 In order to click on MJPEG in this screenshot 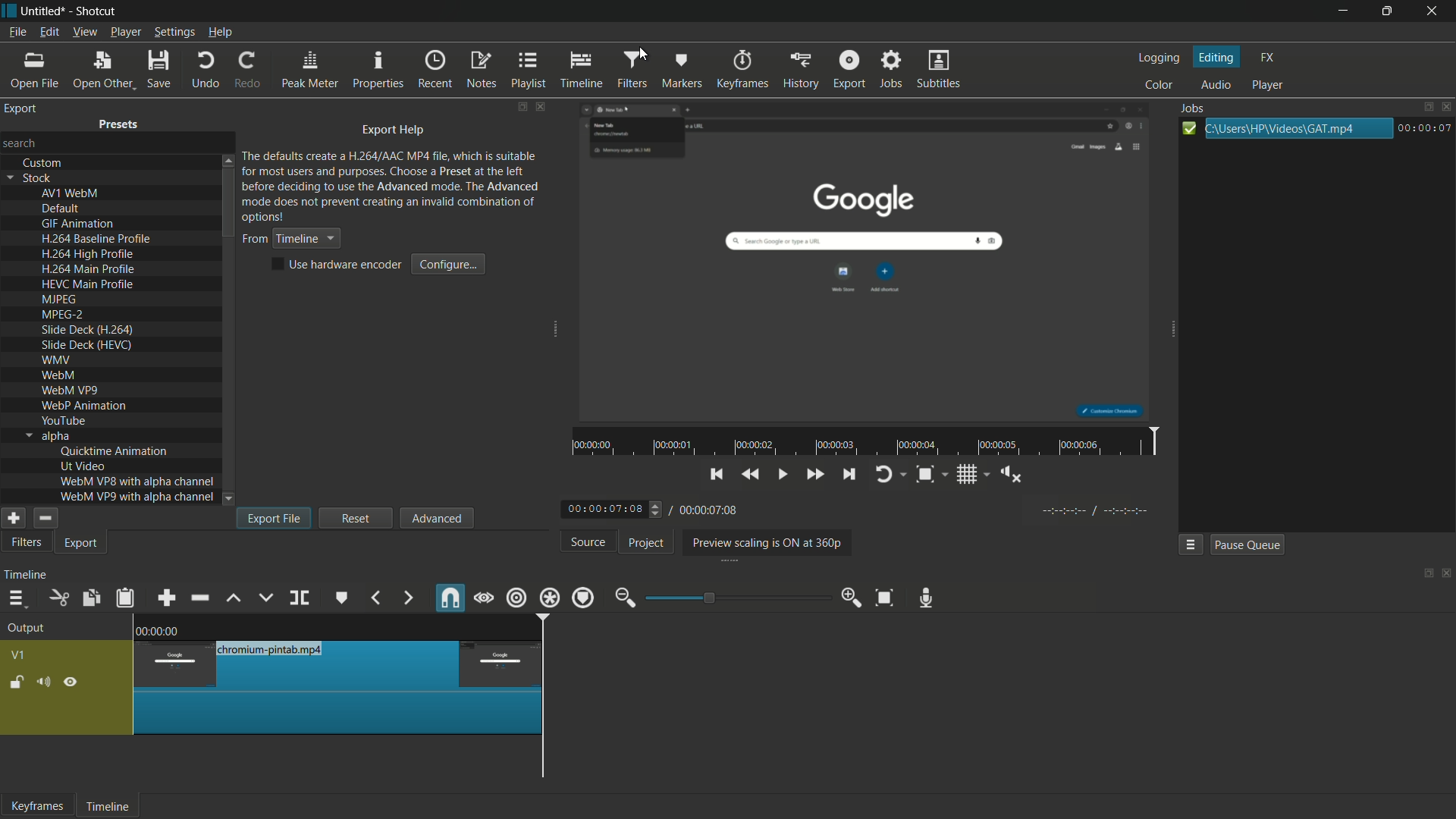, I will do `click(68, 299)`.